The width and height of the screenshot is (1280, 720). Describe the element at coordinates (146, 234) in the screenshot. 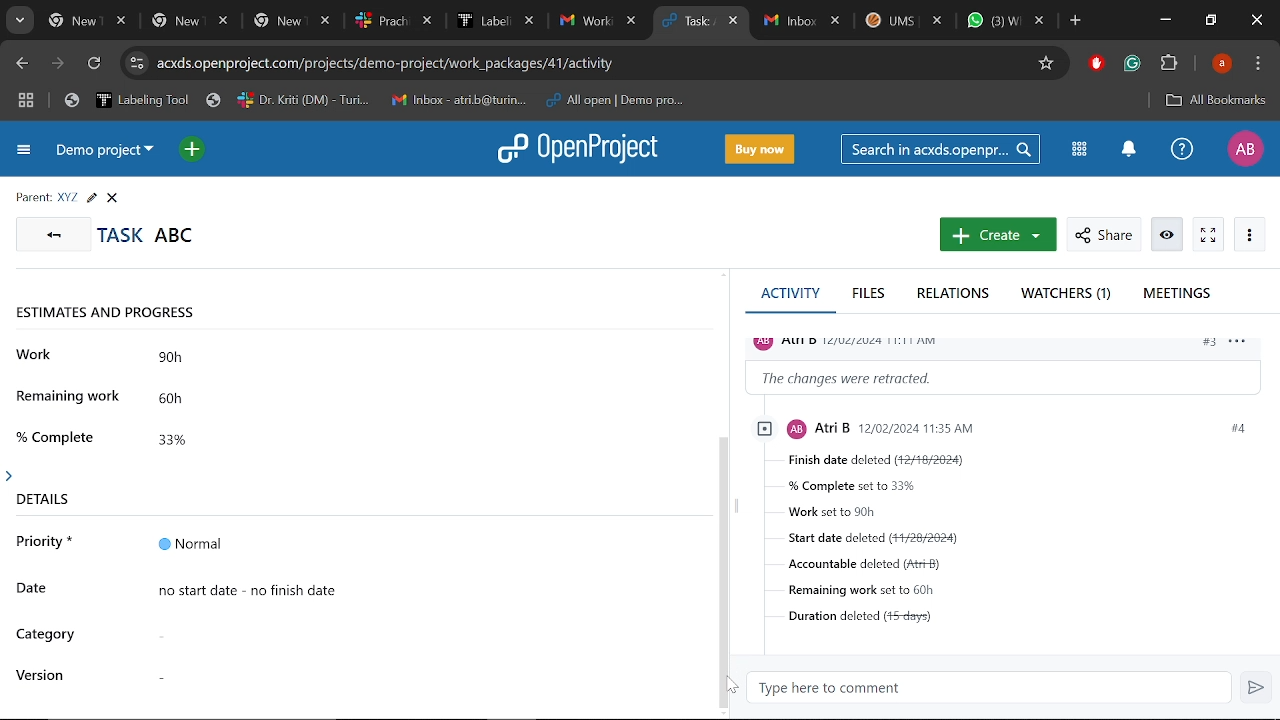

I see `Task titled "ABC"` at that location.